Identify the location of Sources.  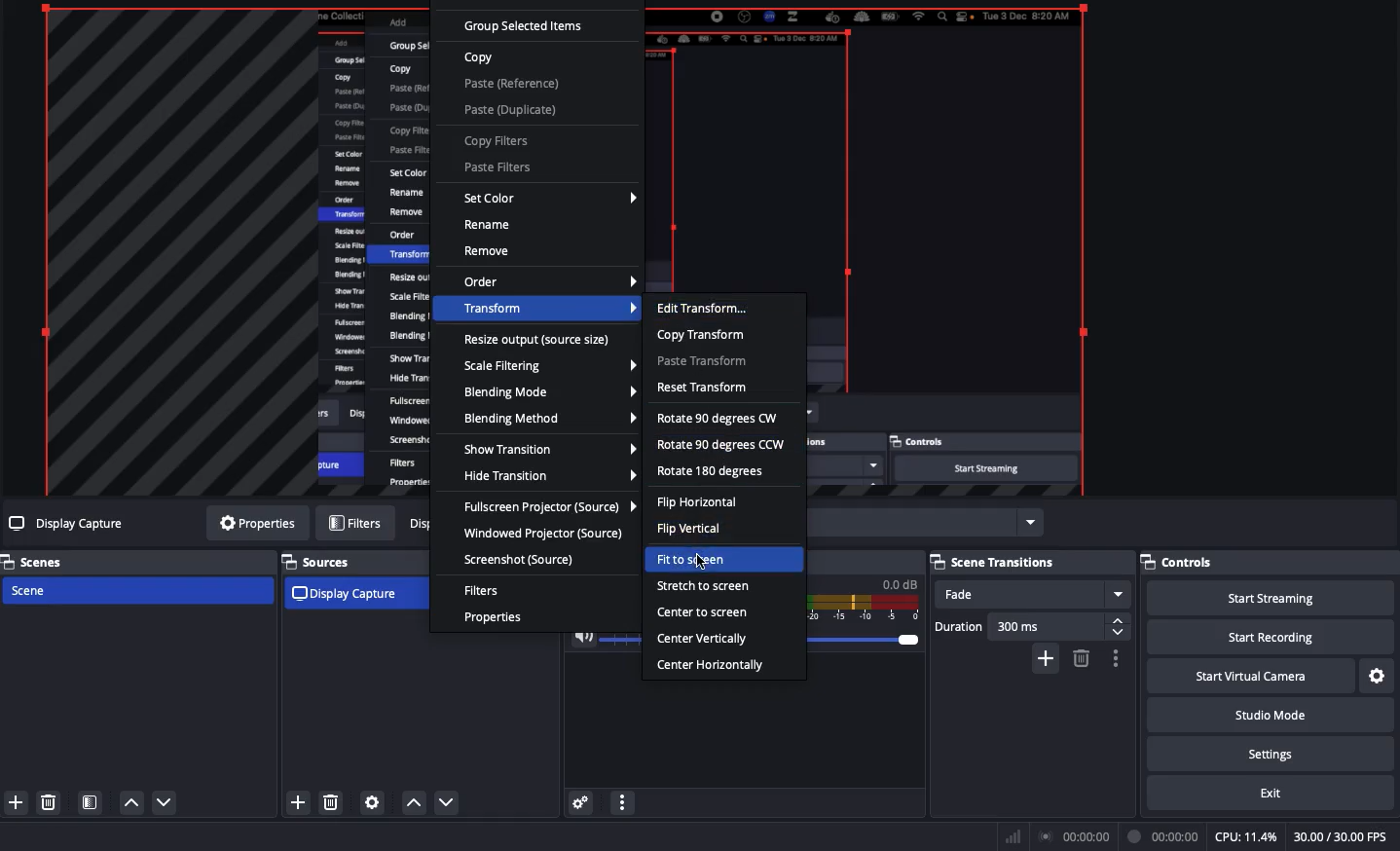
(323, 561).